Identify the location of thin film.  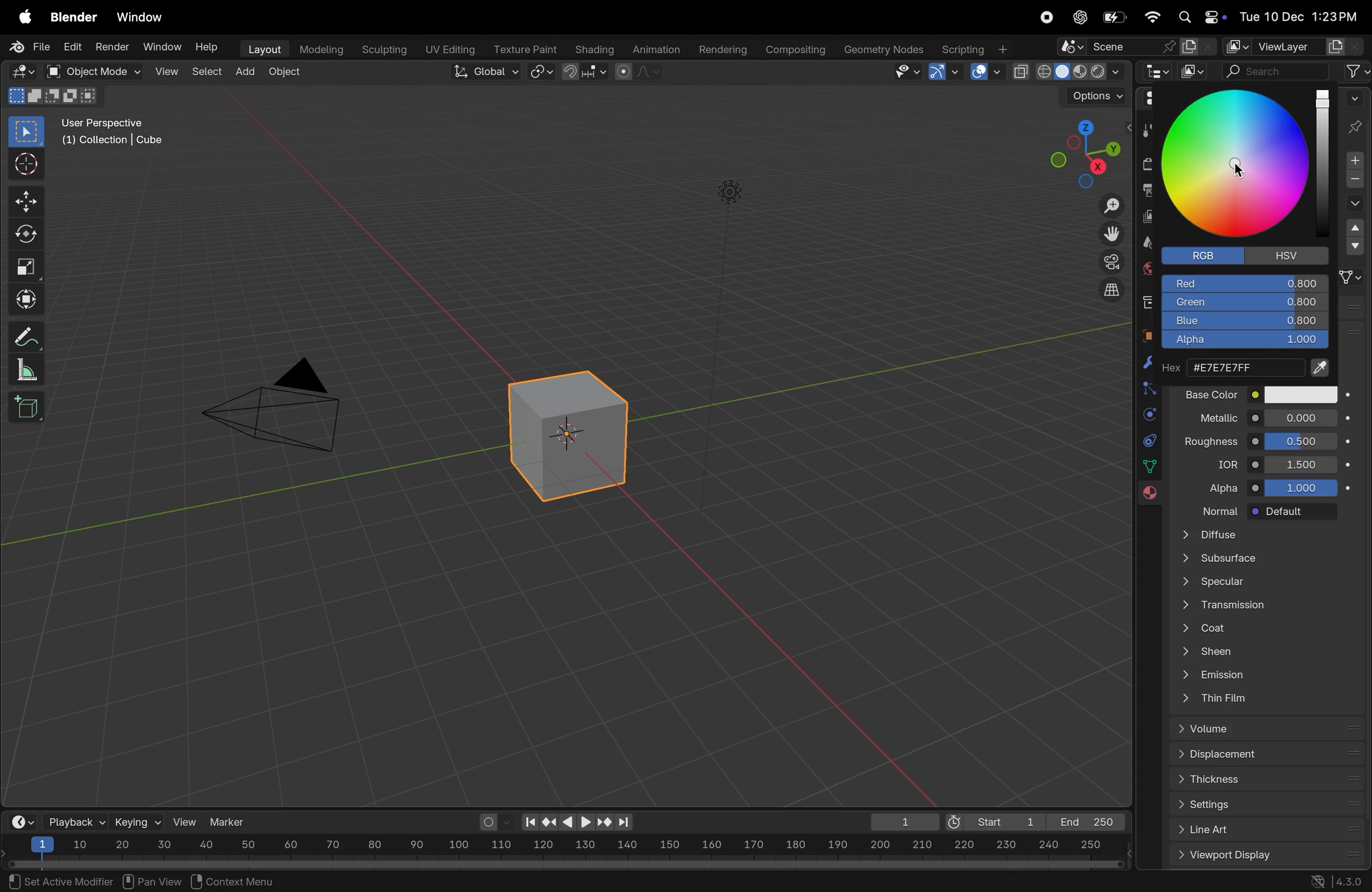
(1264, 700).